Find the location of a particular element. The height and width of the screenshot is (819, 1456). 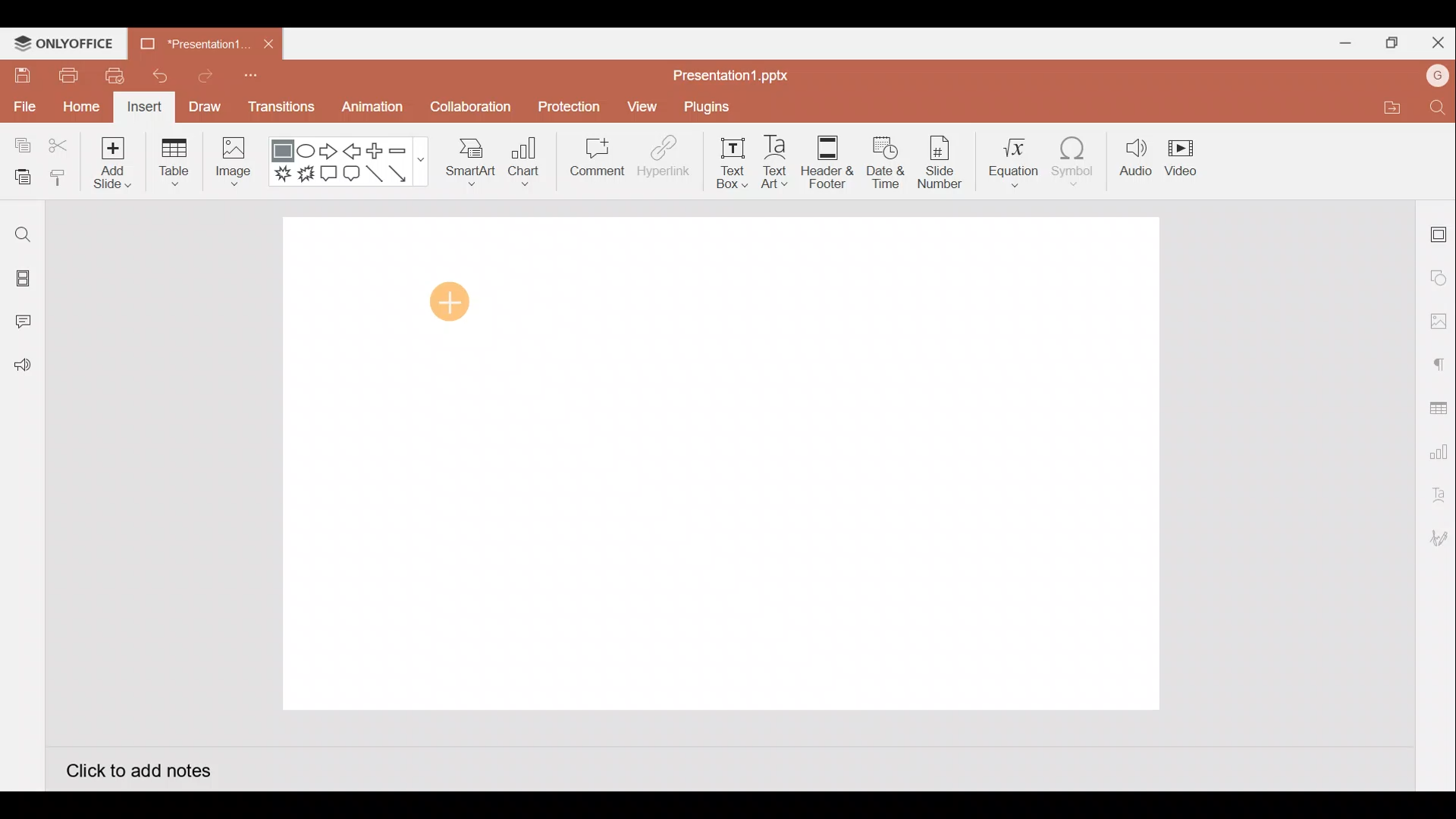

Rounded Rectangular callout is located at coordinates (351, 171).